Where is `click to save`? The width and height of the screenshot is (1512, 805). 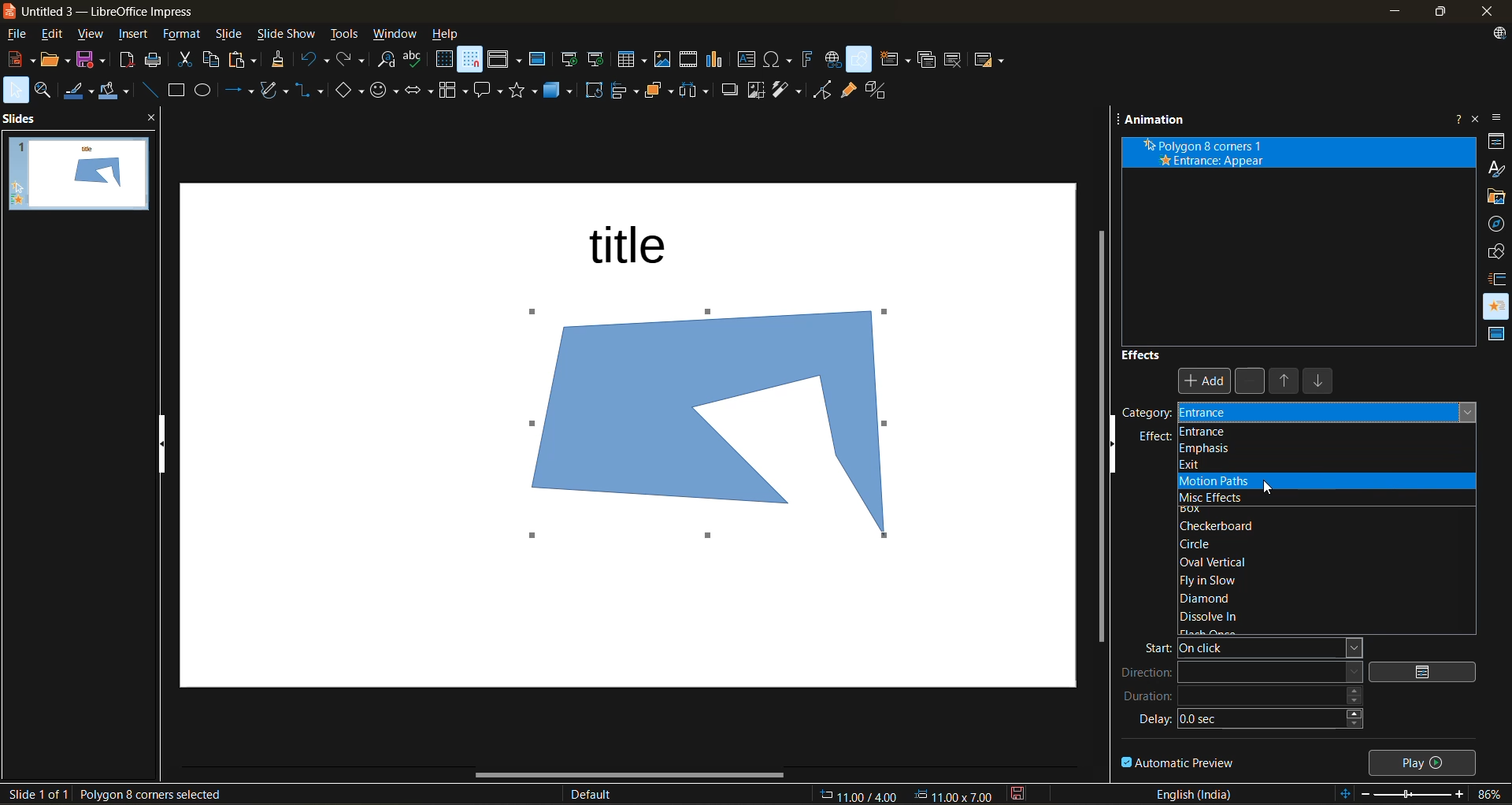 click to save is located at coordinates (1017, 793).